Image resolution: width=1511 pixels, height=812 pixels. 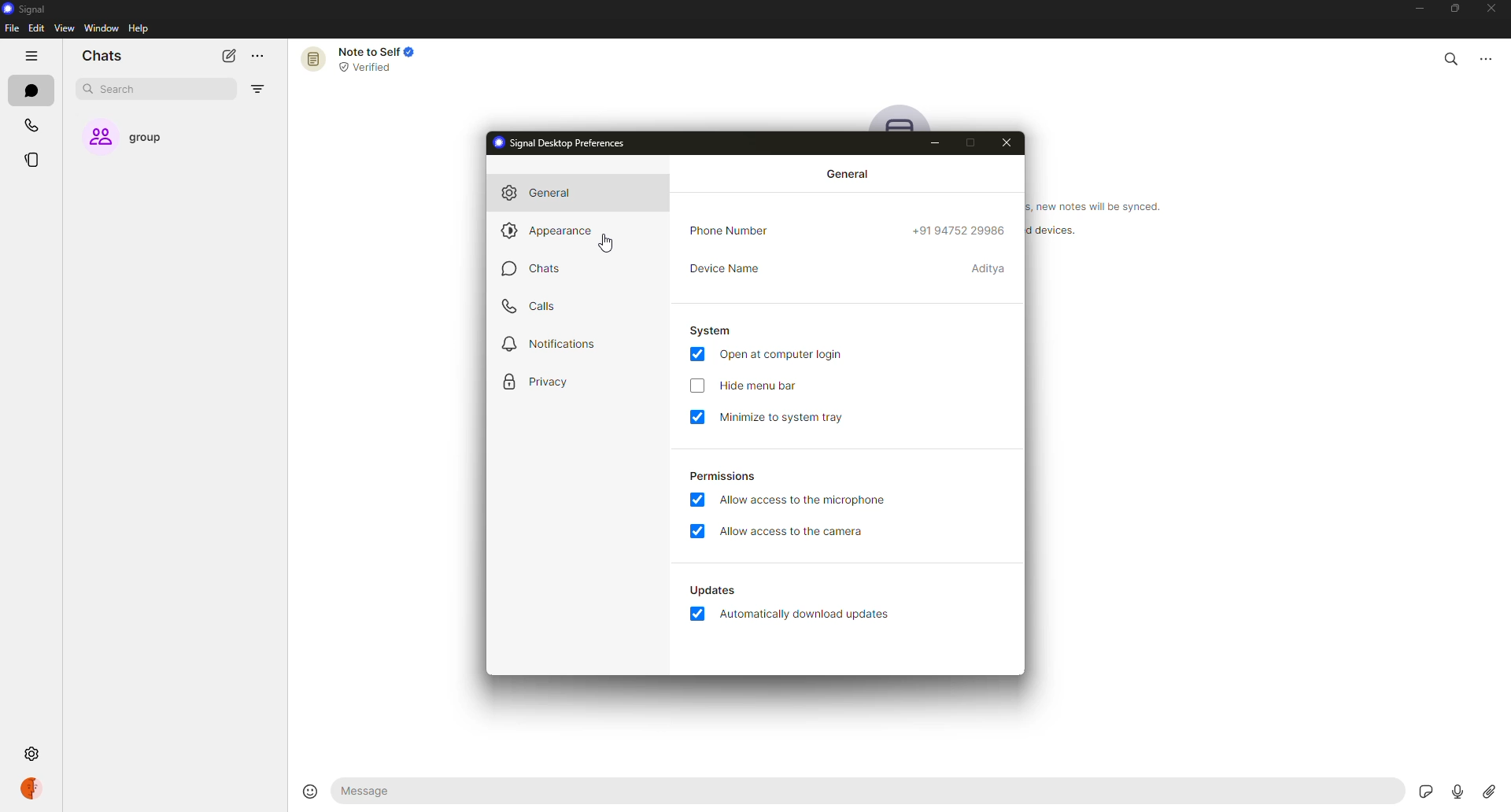 I want to click on more, so click(x=1493, y=56).